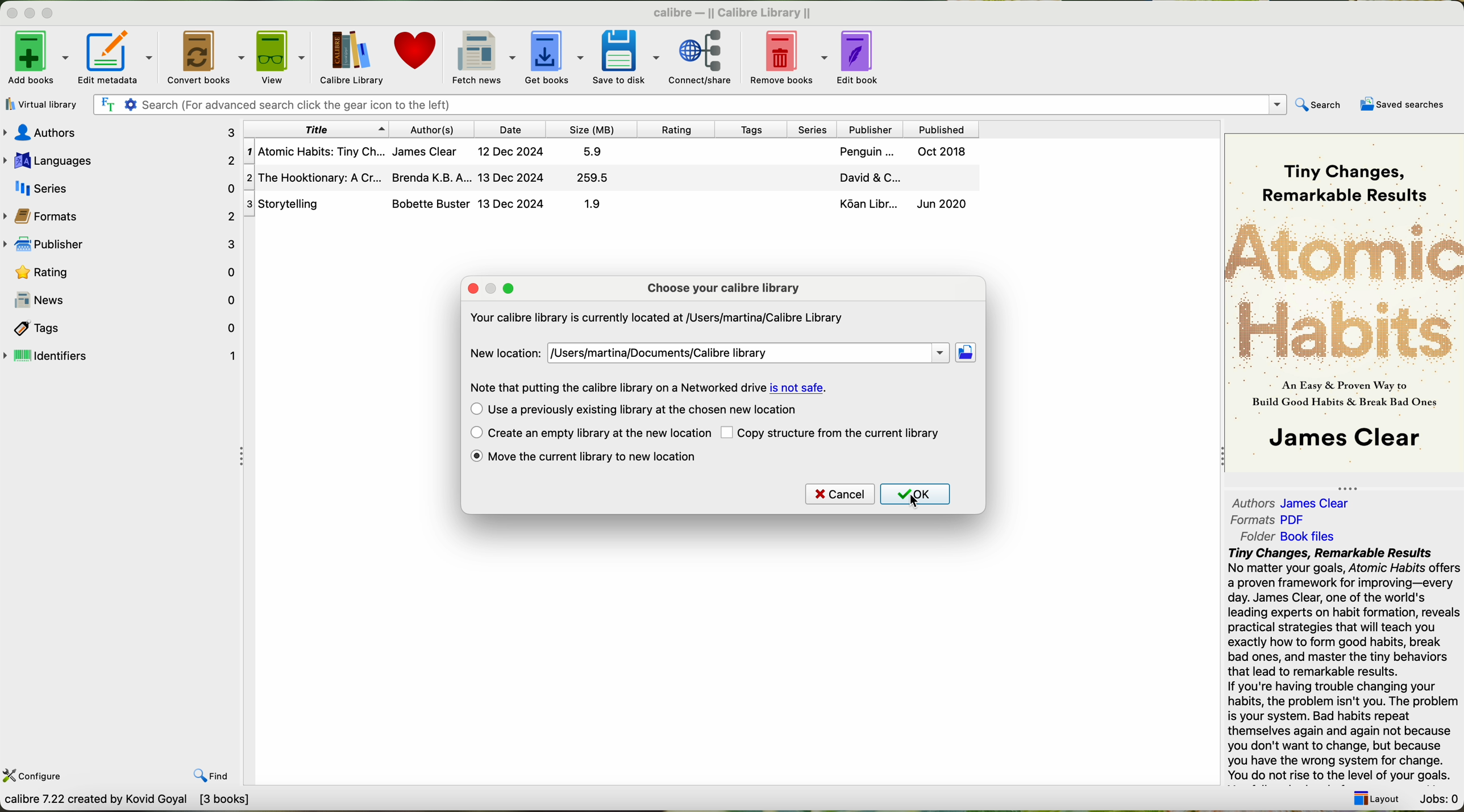 The width and height of the screenshot is (1464, 812). Describe the element at coordinates (414, 53) in the screenshot. I see `donate` at that location.